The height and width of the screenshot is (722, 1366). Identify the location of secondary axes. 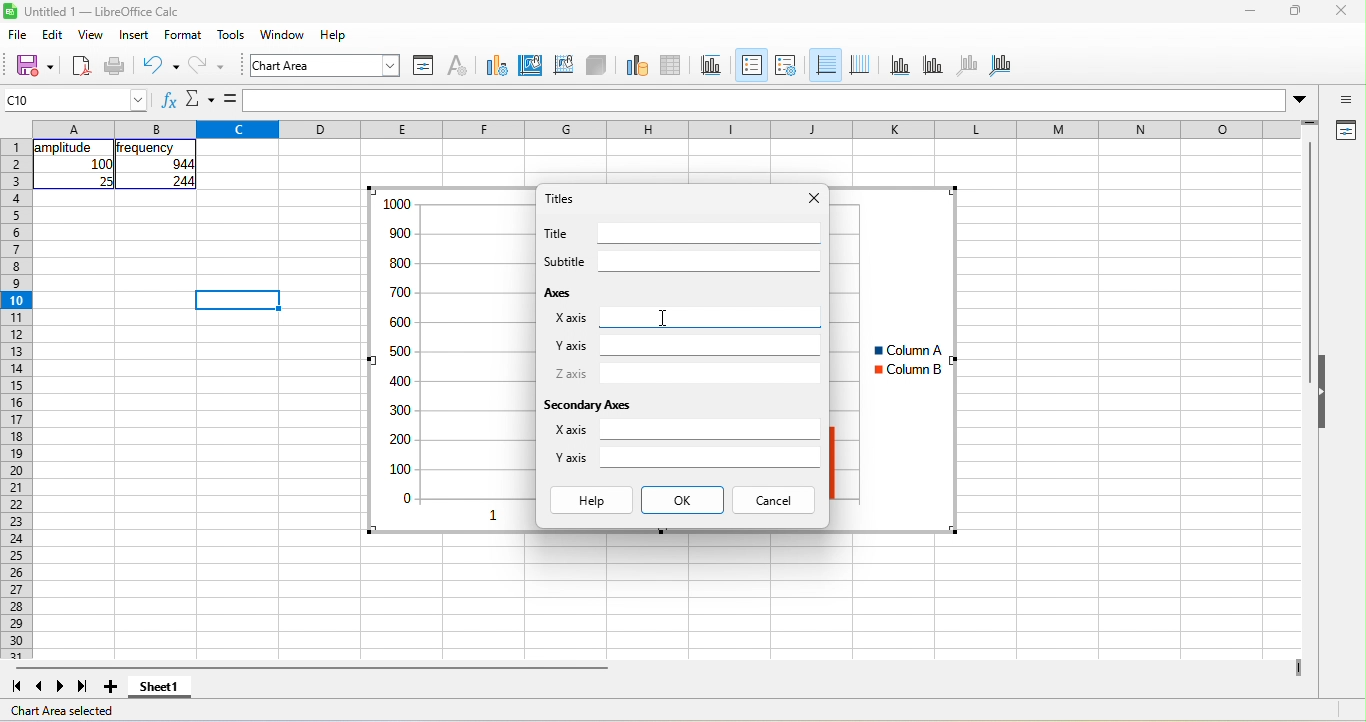
(586, 405).